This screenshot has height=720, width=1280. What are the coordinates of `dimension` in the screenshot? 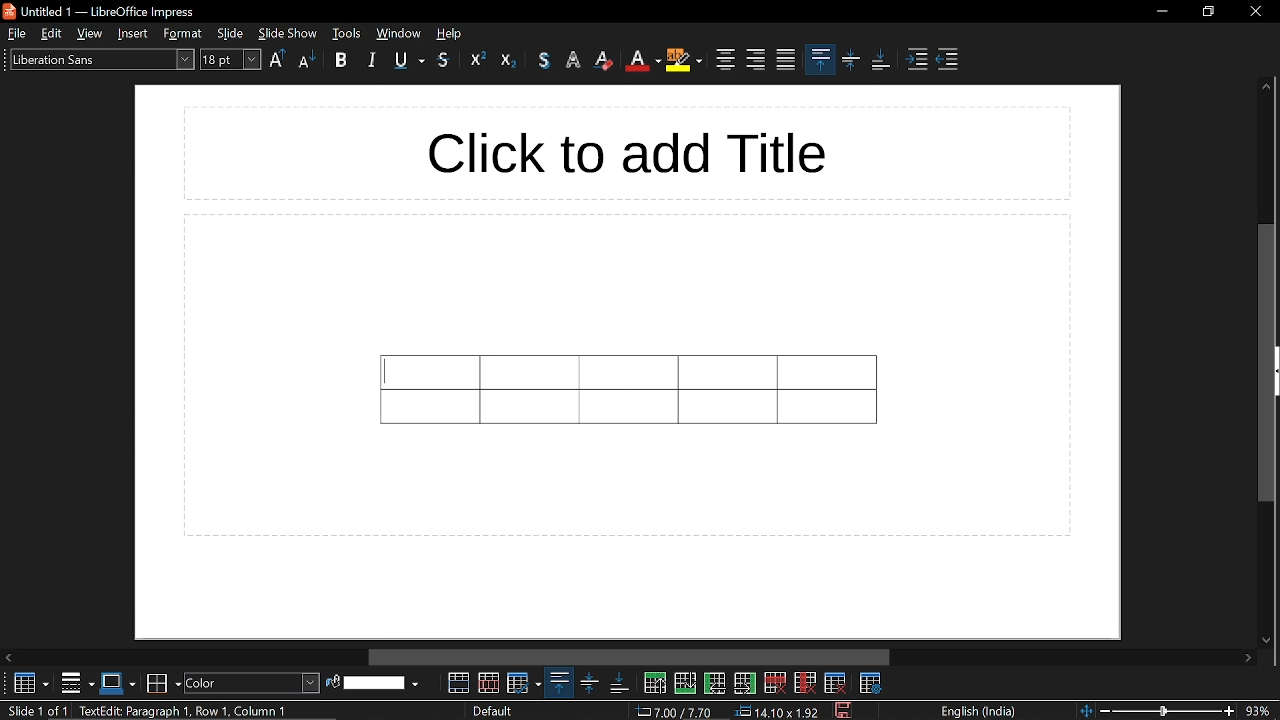 It's located at (777, 712).